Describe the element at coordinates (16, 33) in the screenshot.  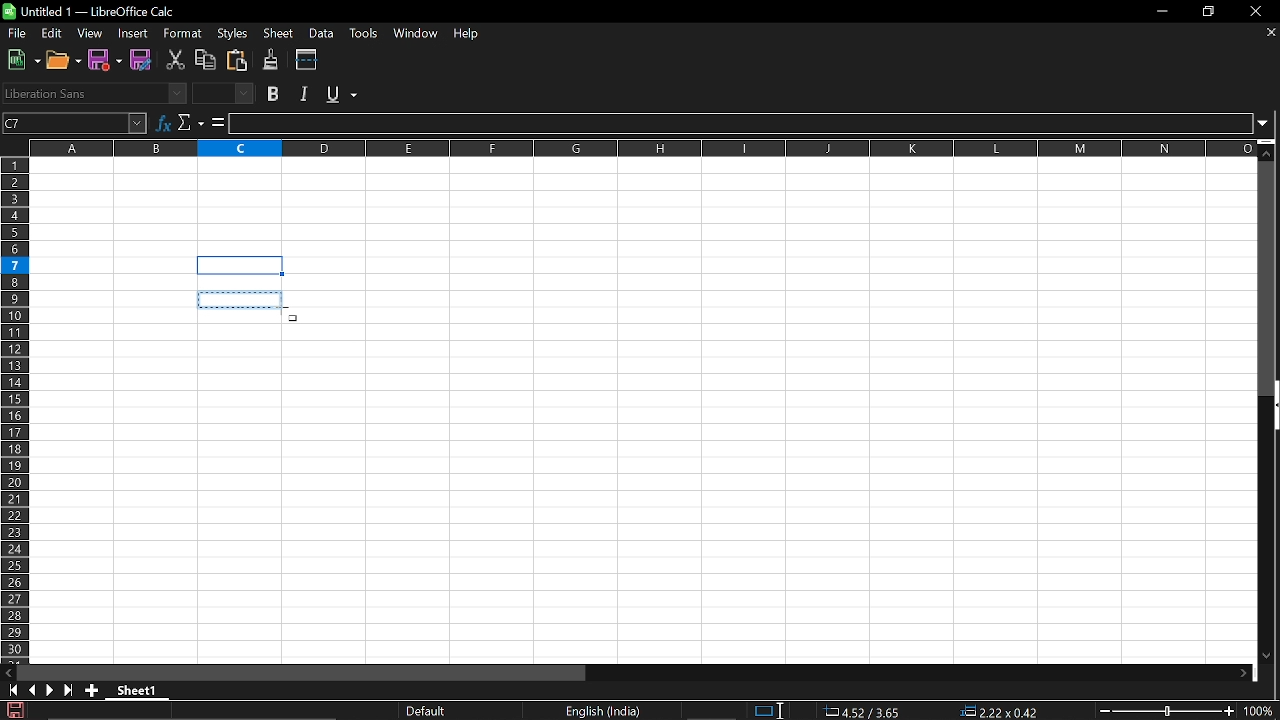
I see `File` at that location.